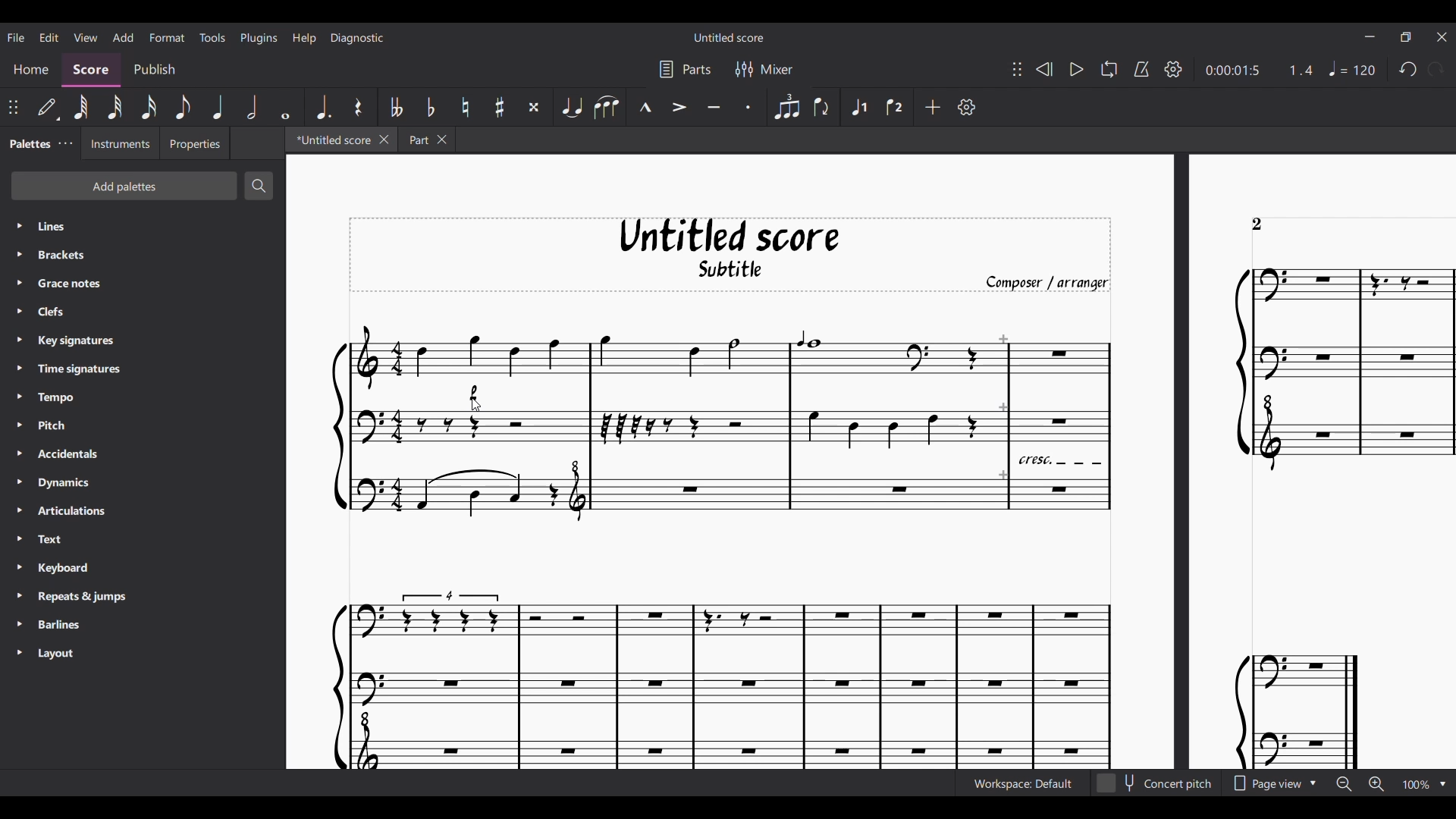 This screenshot has height=819, width=1456. Describe the element at coordinates (1407, 68) in the screenshot. I see `Undo` at that location.